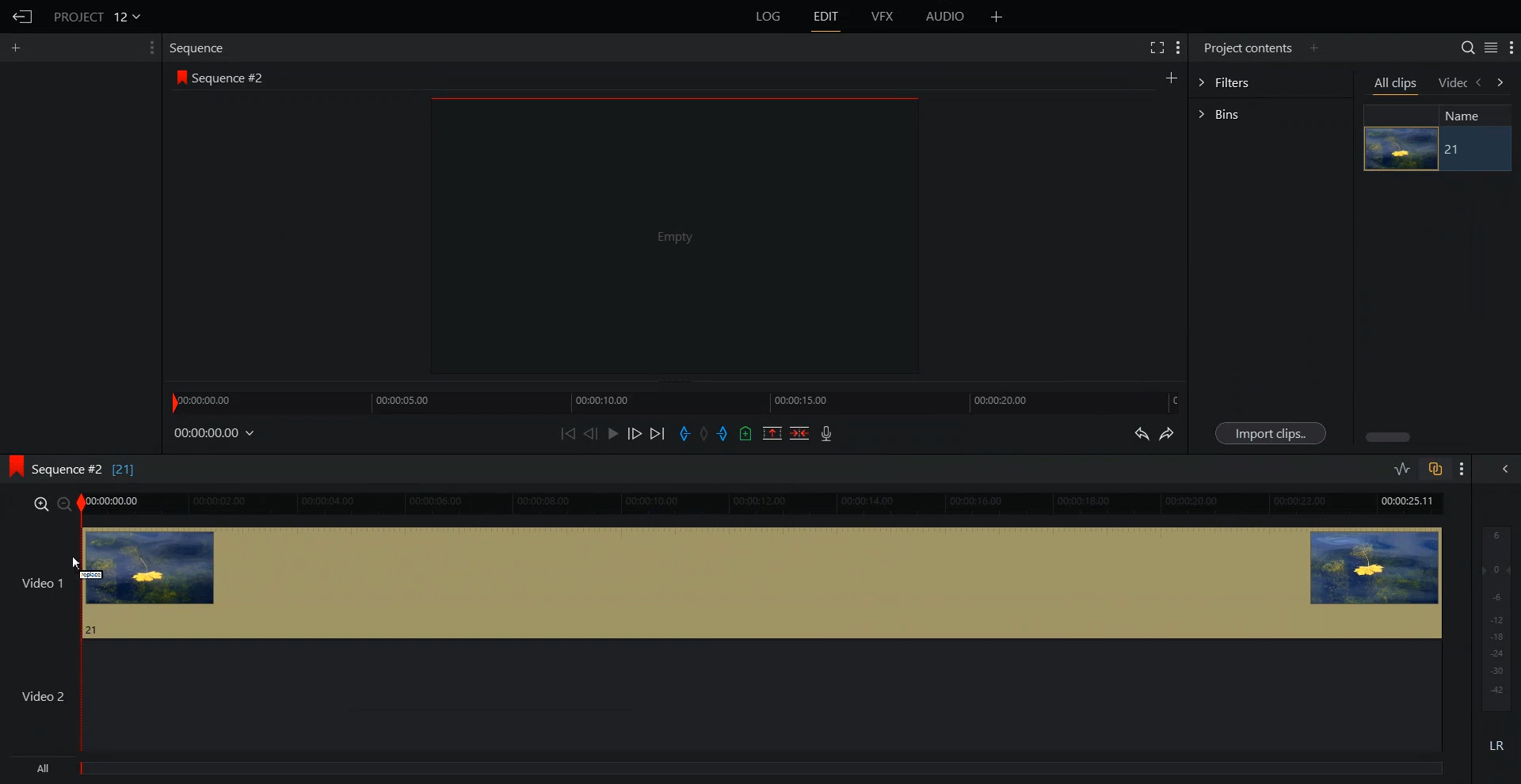 The image size is (1521, 784). What do you see at coordinates (229, 78) in the screenshot?
I see `Sequence 2` at bounding box center [229, 78].